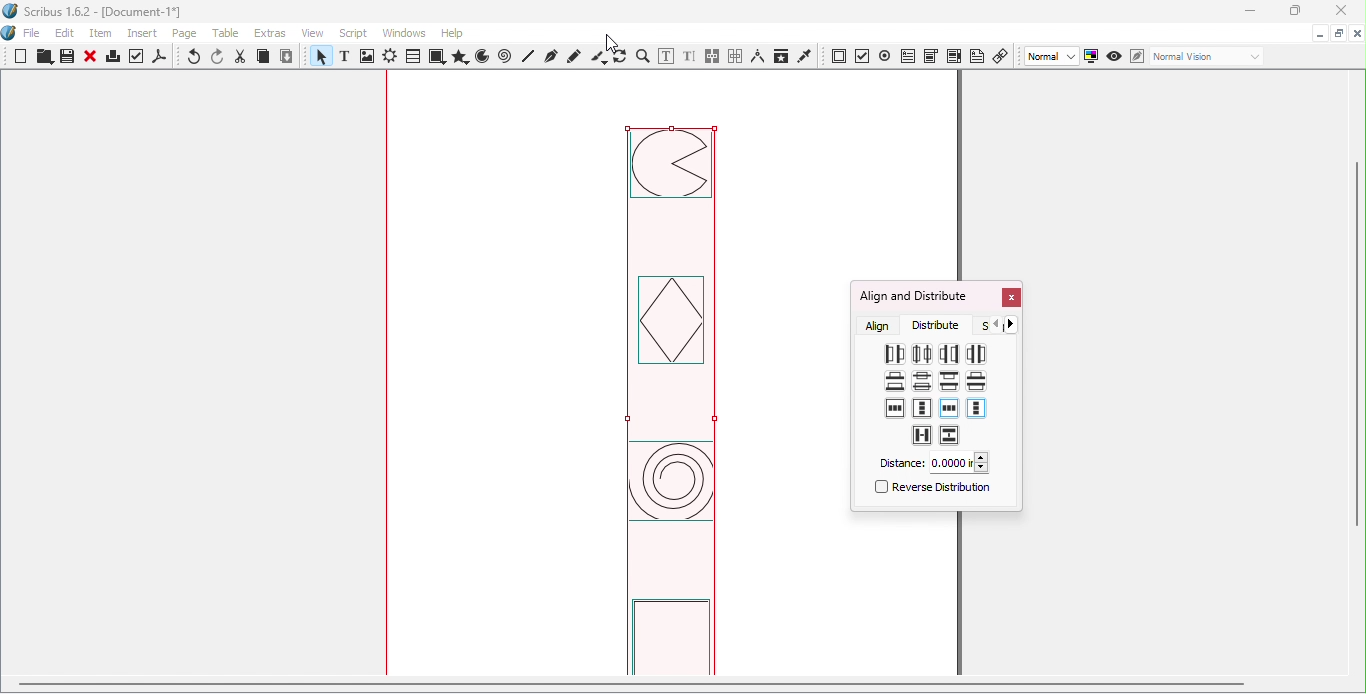 The height and width of the screenshot is (694, 1366). I want to click on Zoom in or out, so click(642, 56).